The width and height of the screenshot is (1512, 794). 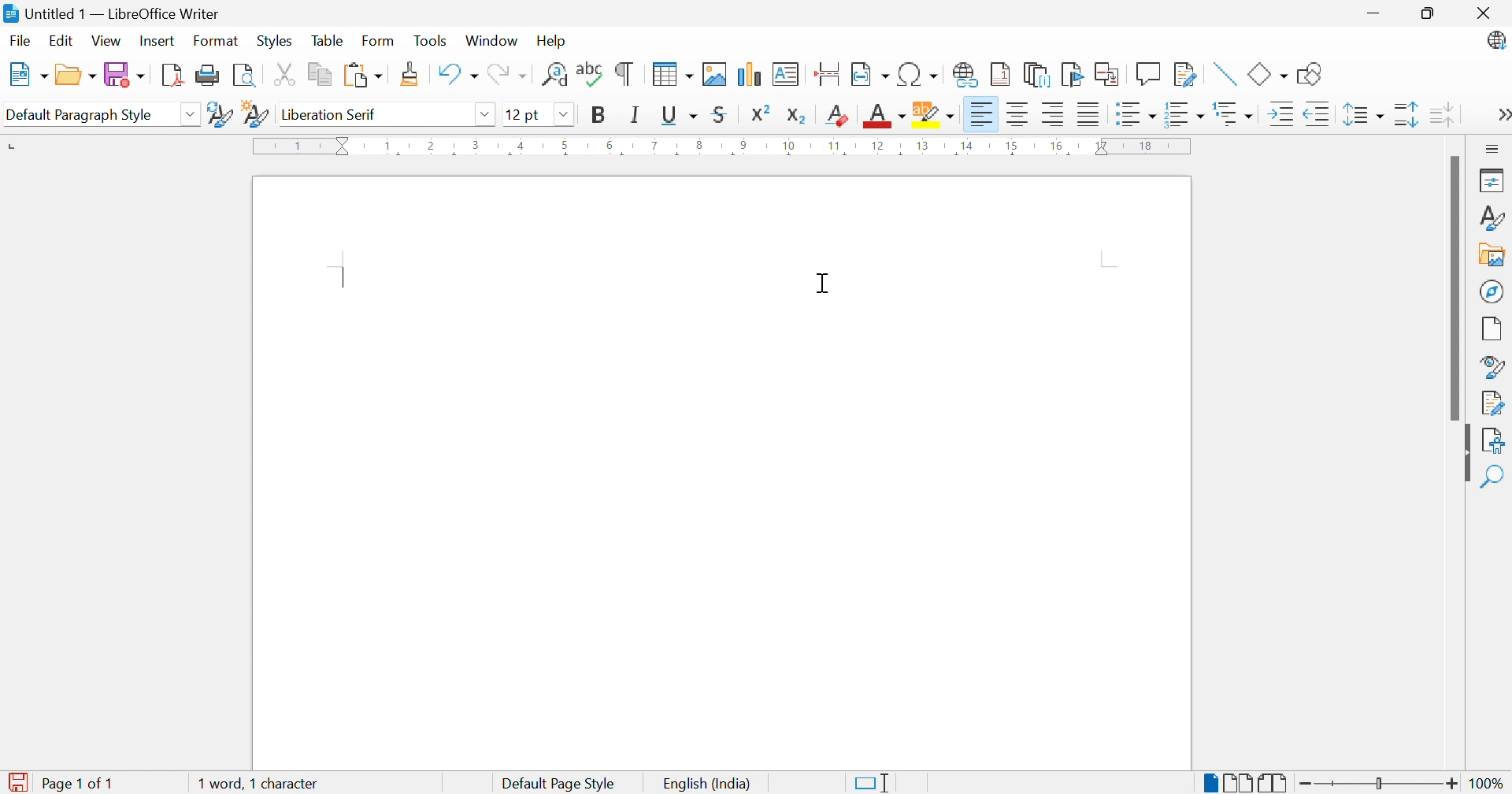 I want to click on Insert Special Characters, so click(x=918, y=74).